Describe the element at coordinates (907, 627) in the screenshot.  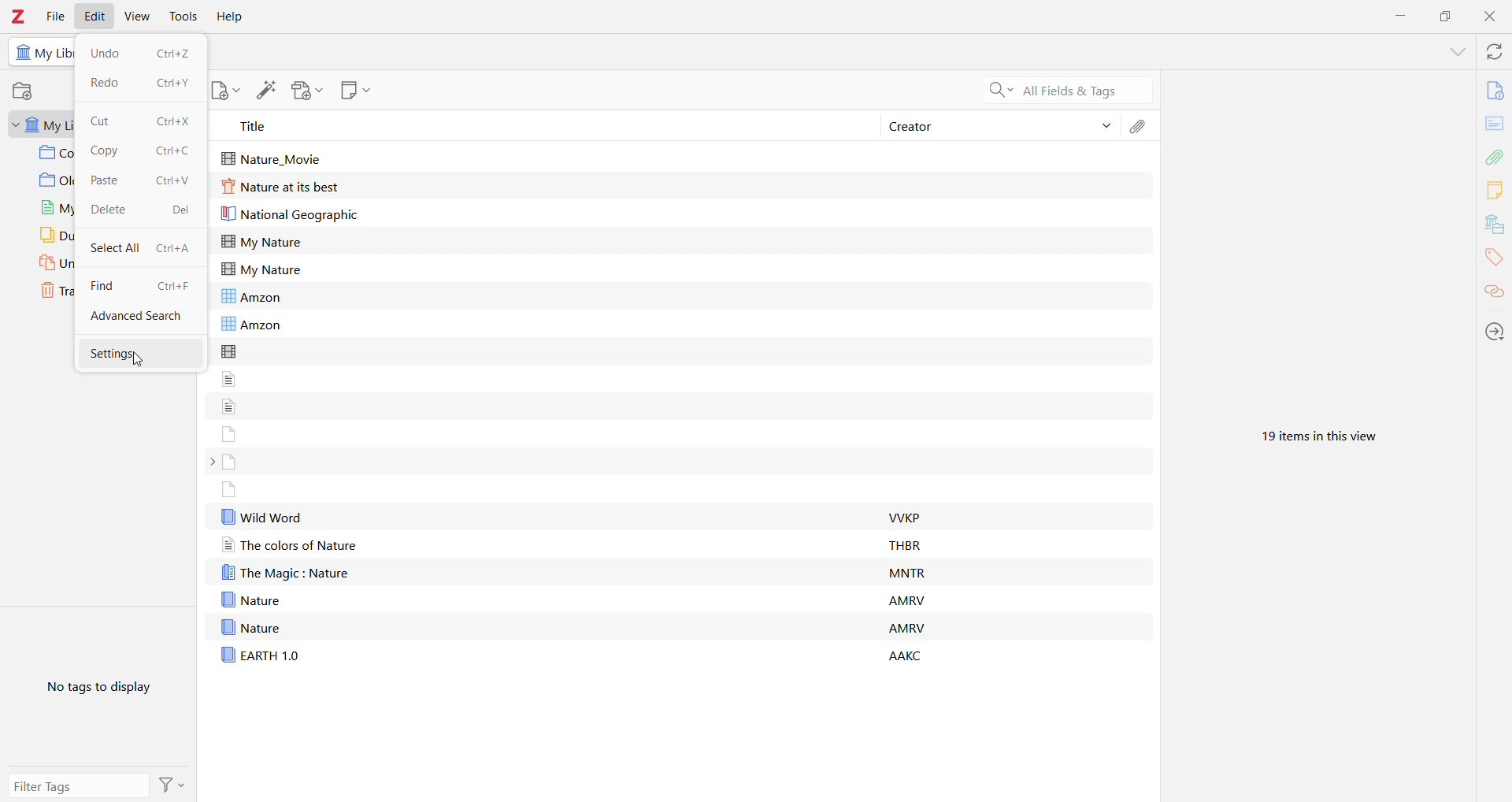
I see `AMRV` at that location.